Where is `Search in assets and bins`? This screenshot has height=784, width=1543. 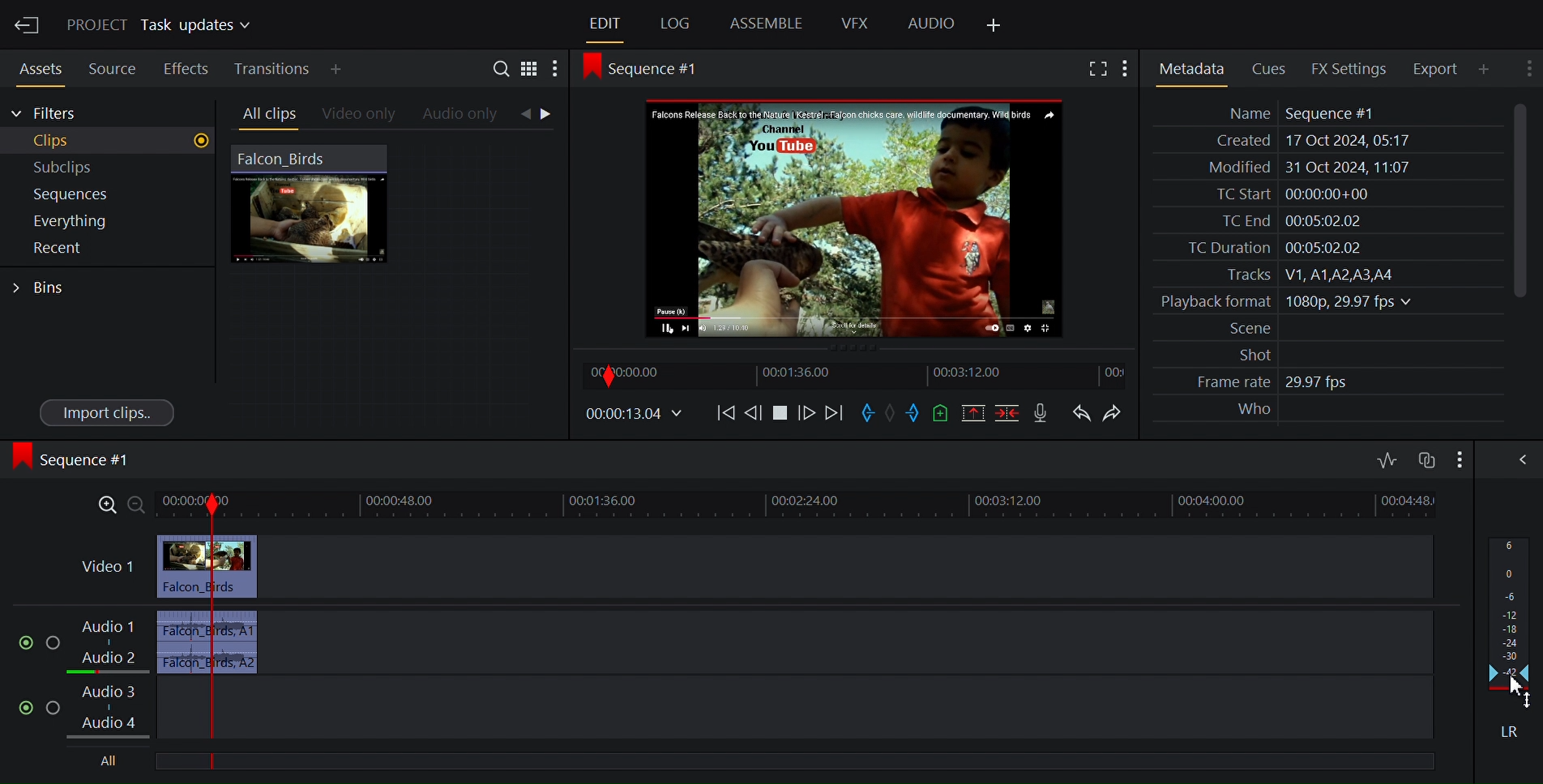
Search in assets and bins is located at coordinates (500, 66).